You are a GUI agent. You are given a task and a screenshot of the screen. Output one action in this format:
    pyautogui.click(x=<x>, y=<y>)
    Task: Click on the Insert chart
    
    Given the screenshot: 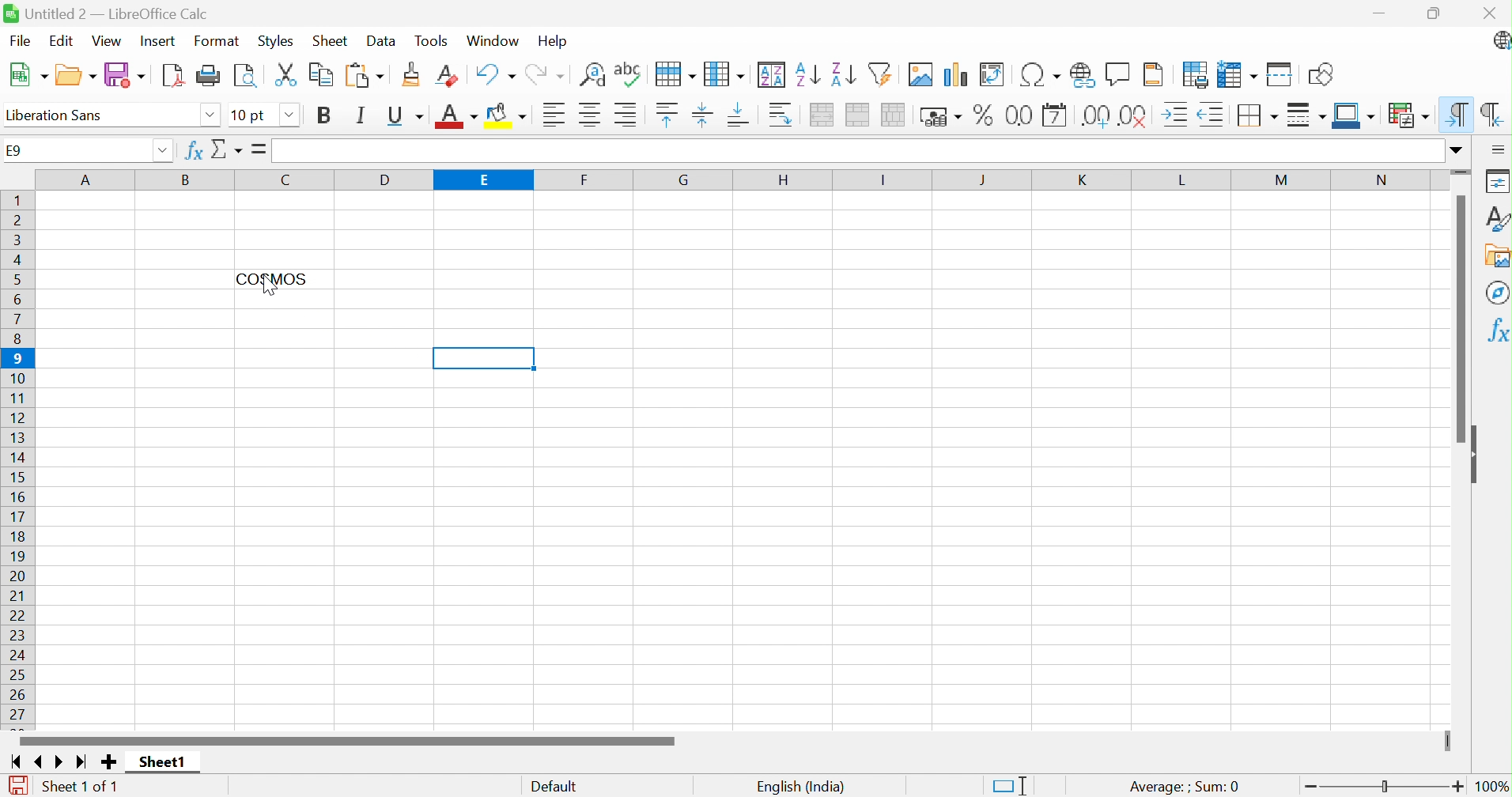 What is the action you would take?
    pyautogui.click(x=953, y=74)
    